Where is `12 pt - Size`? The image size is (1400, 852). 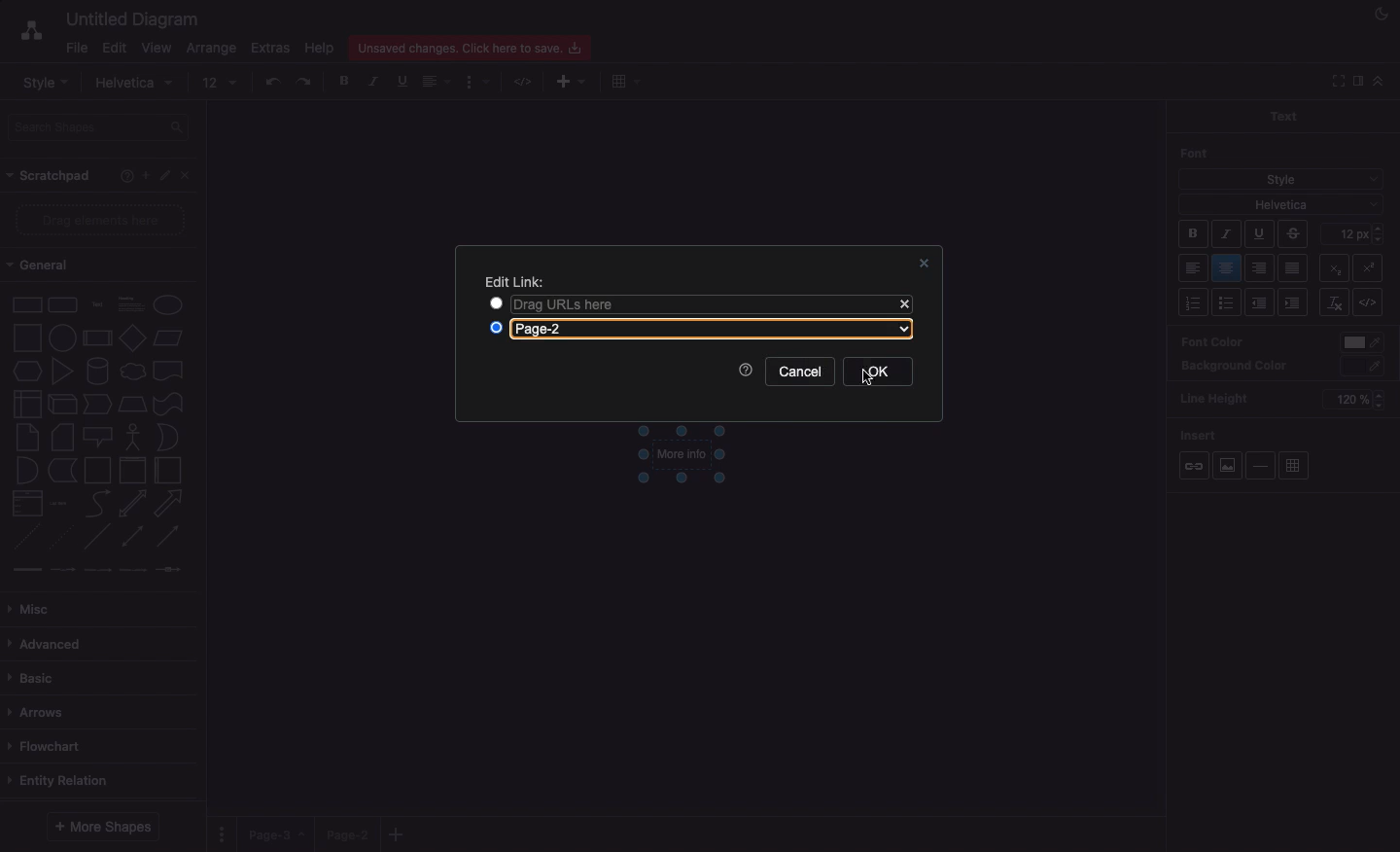 12 pt - Size is located at coordinates (1355, 232).